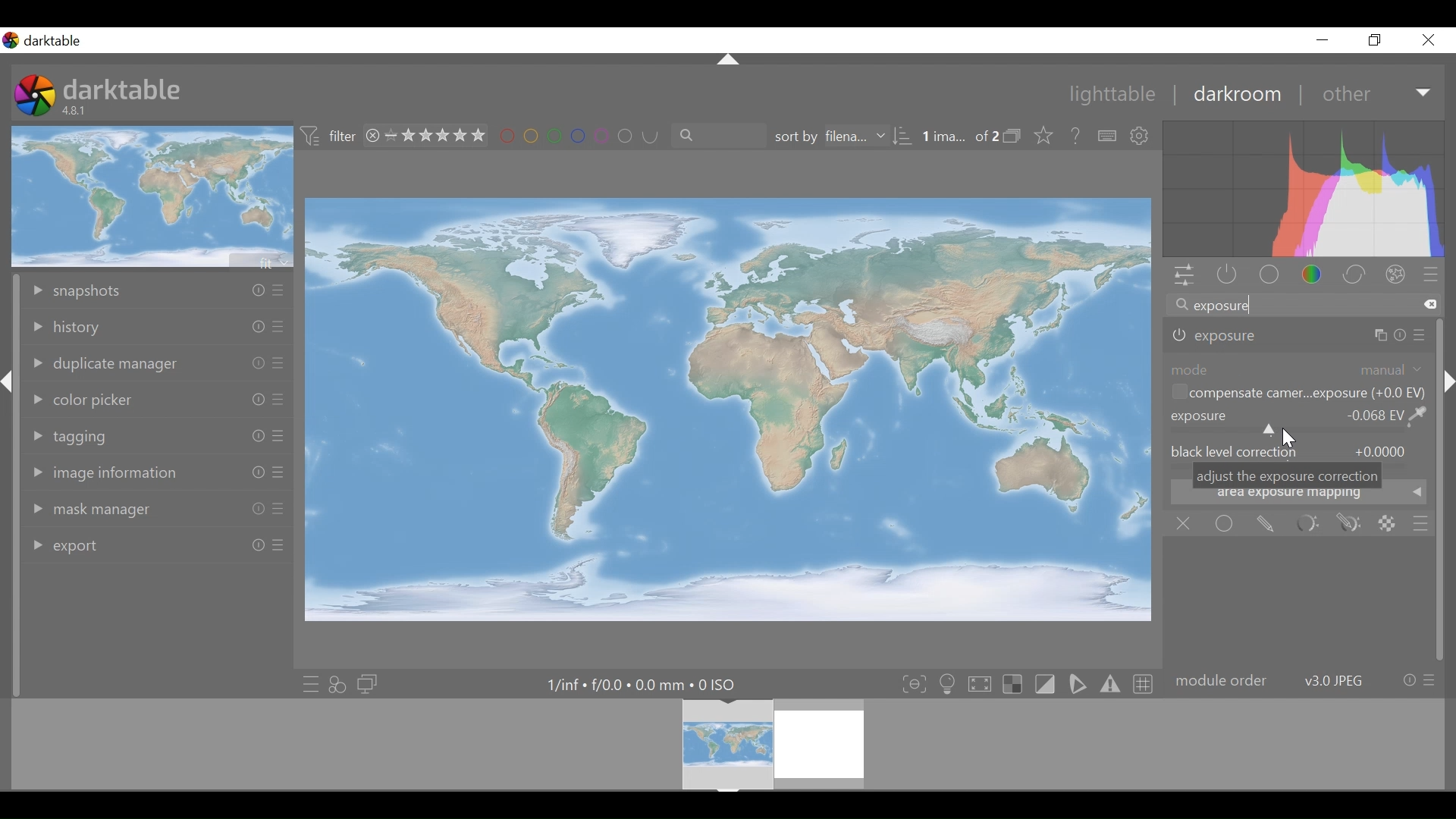  Describe the element at coordinates (1189, 369) in the screenshot. I see `mode` at that location.